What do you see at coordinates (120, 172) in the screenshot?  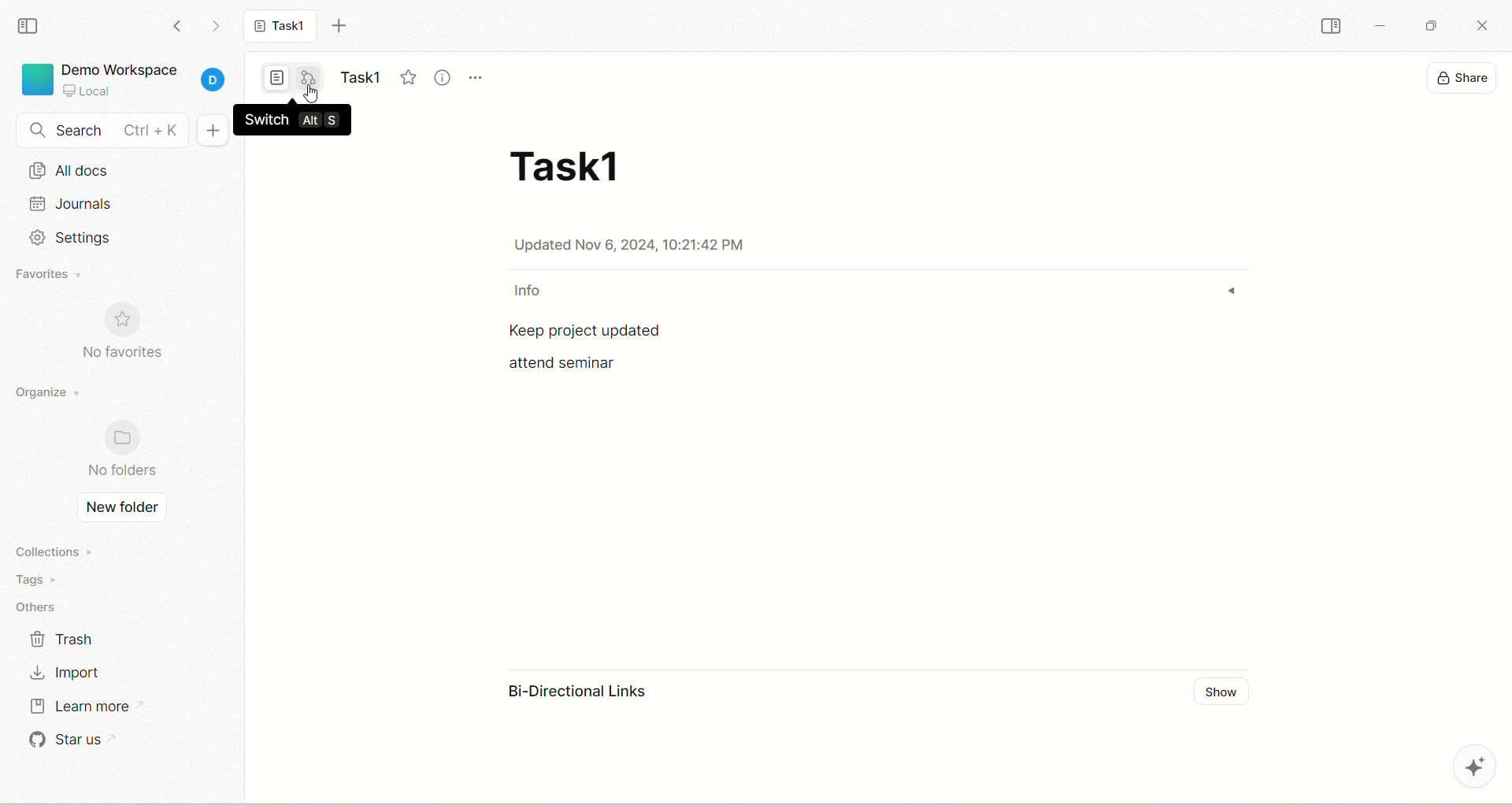 I see `all docs` at bounding box center [120, 172].